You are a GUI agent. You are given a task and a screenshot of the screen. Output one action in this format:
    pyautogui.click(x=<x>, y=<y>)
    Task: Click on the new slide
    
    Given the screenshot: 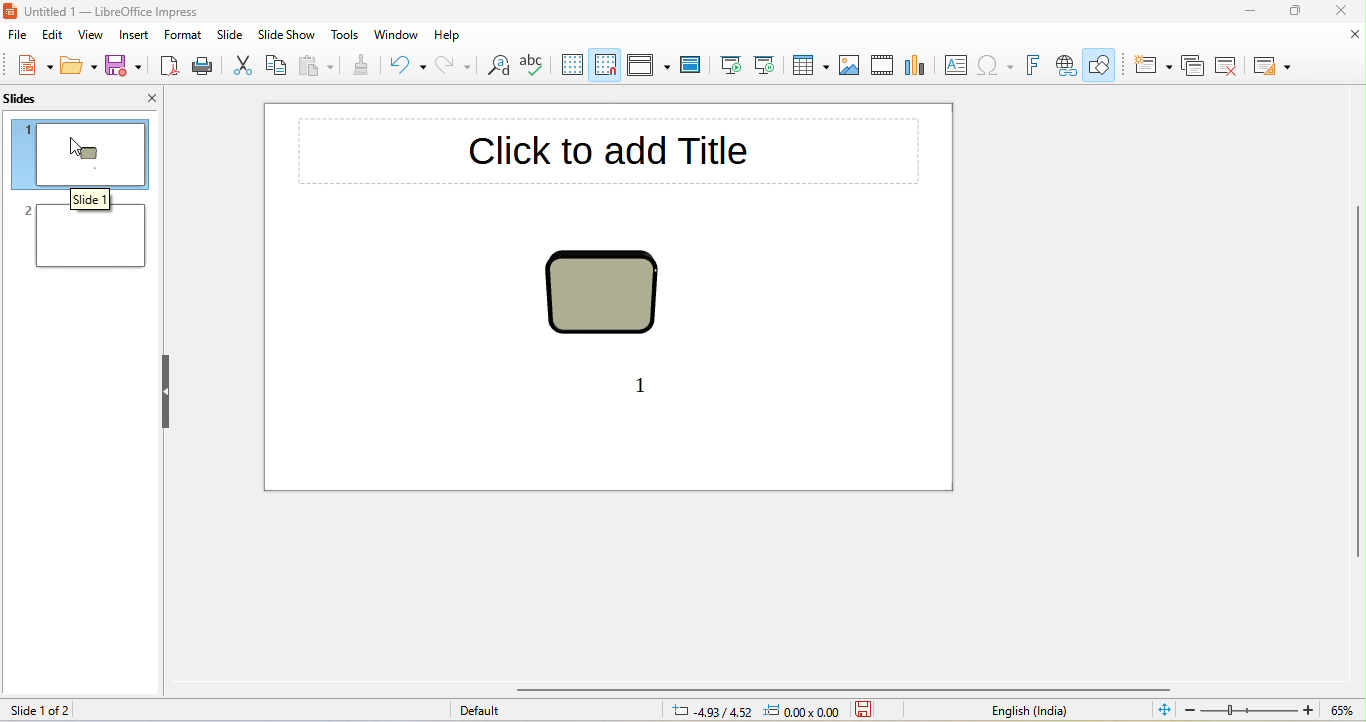 What is the action you would take?
    pyautogui.click(x=1151, y=64)
    